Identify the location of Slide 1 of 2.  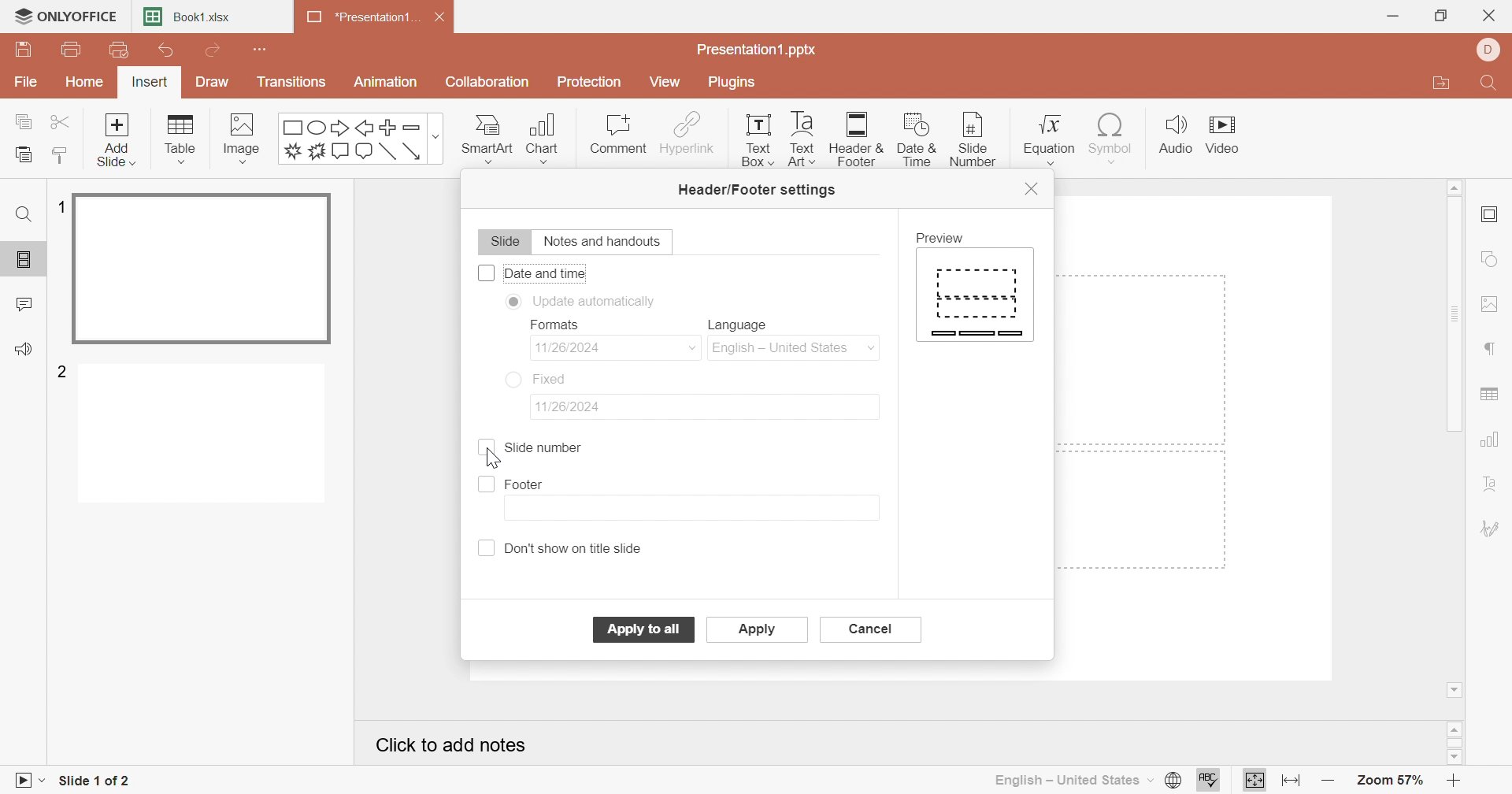
(96, 783).